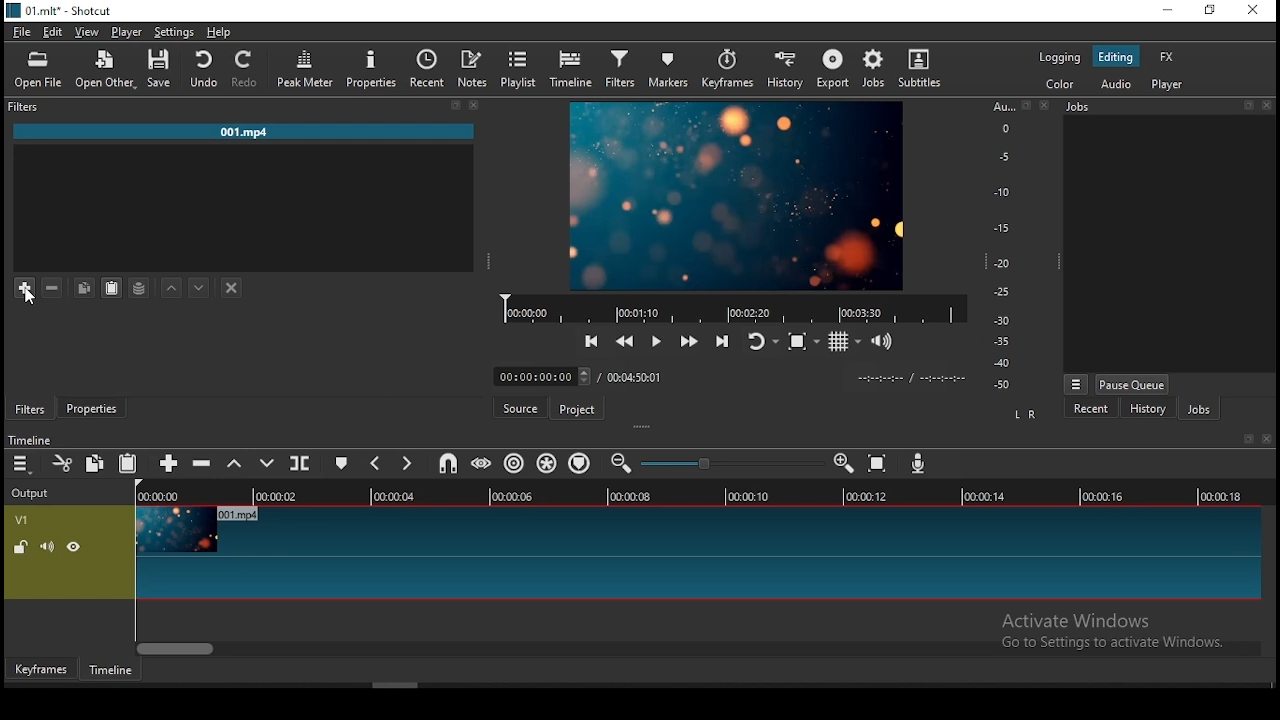 The width and height of the screenshot is (1280, 720). I want to click on video preview, so click(735, 193).